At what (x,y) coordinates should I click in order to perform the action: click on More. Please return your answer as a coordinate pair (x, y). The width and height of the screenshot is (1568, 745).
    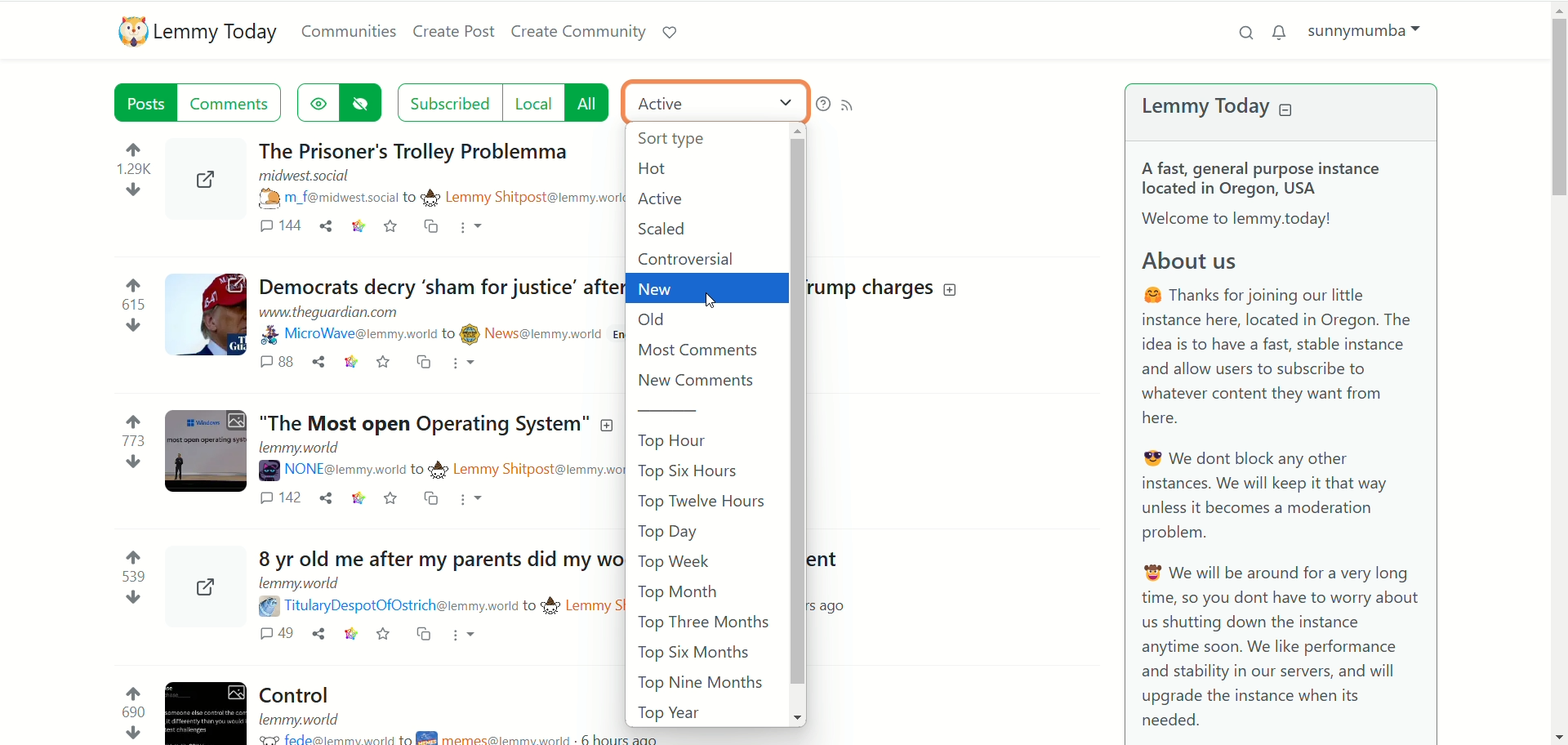
    Looking at the image, I should click on (474, 500).